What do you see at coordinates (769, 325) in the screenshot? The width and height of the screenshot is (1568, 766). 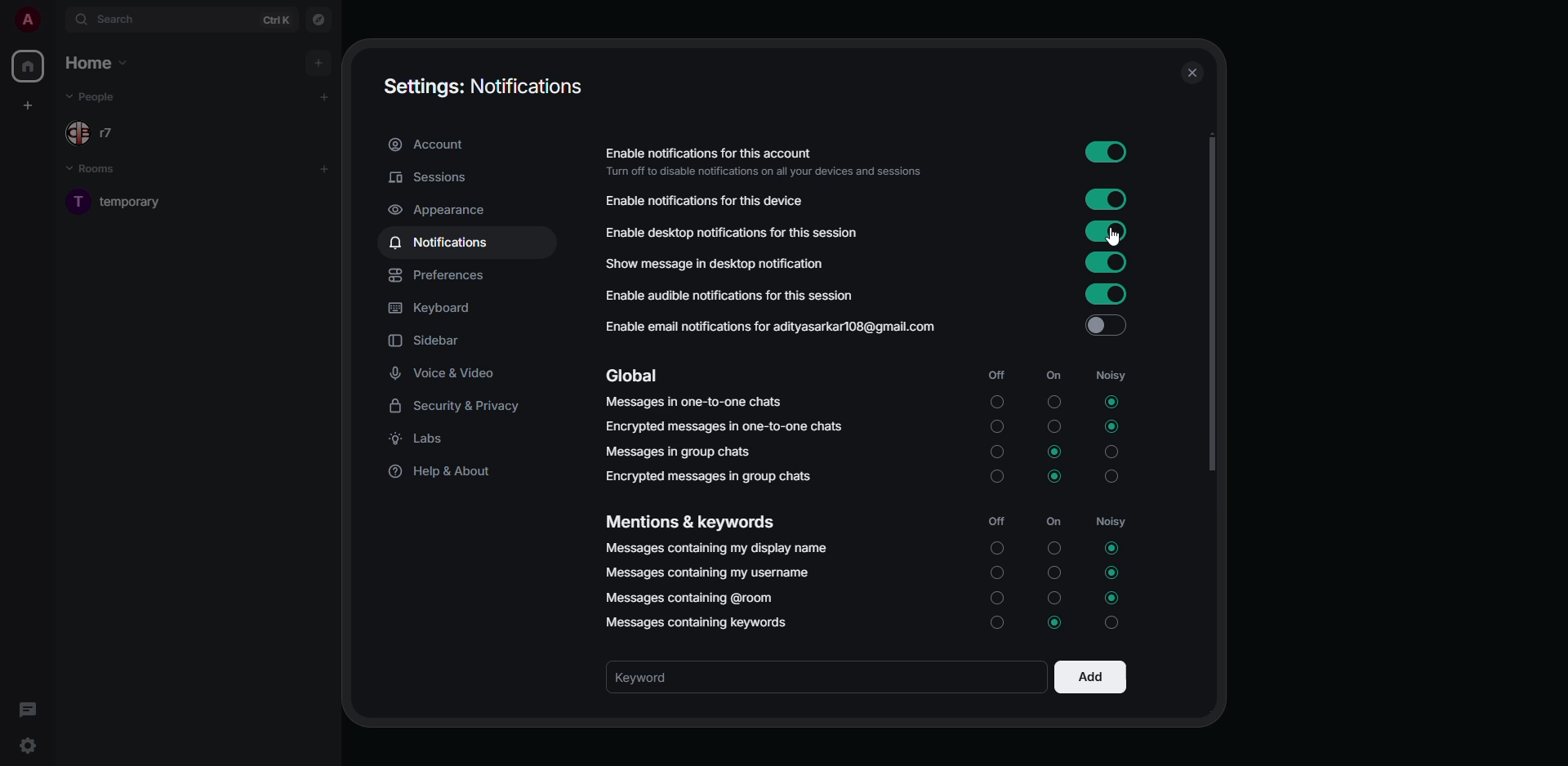 I see `enable email notifications` at bounding box center [769, 325].